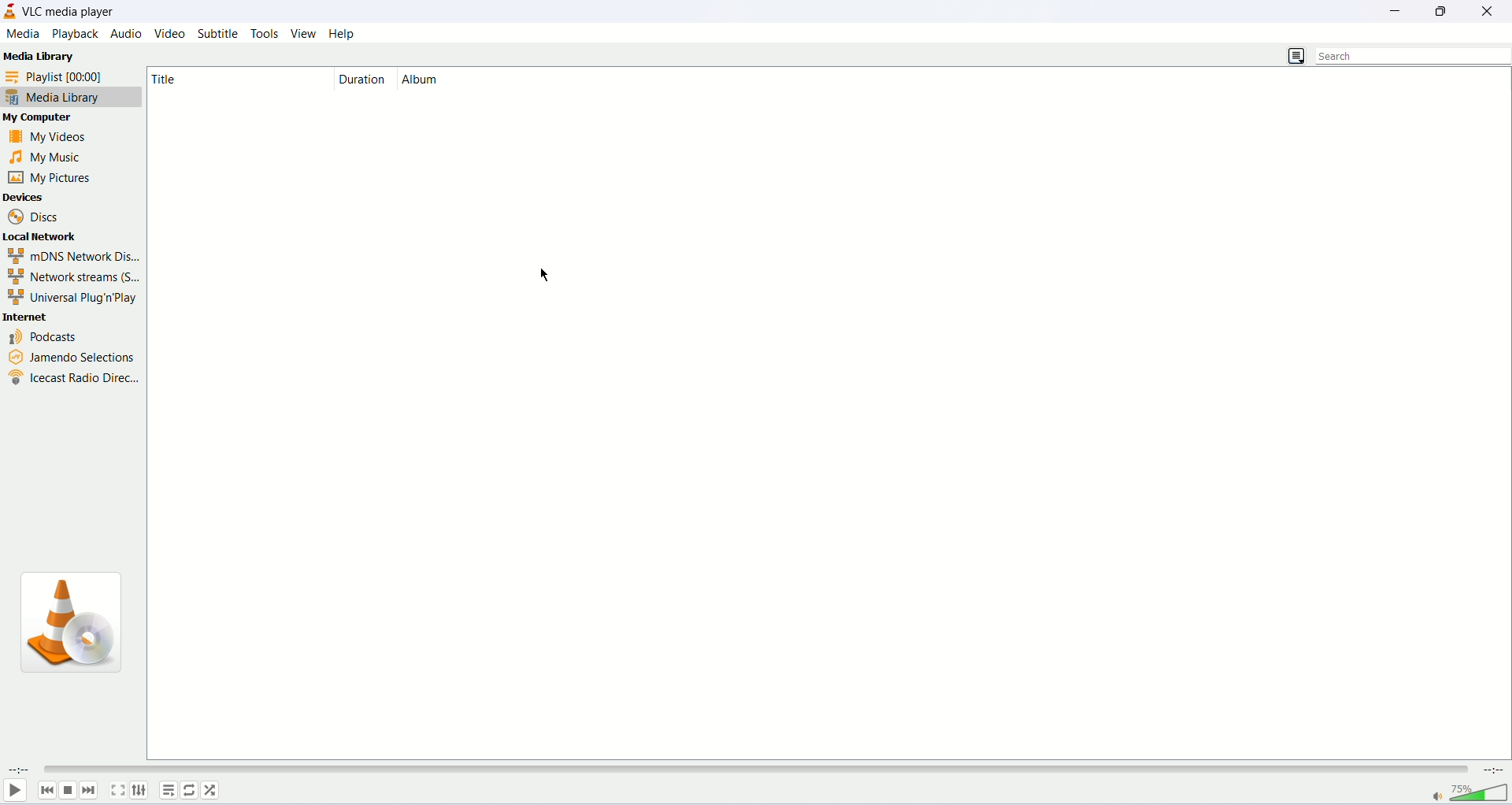 The width and height of the screenshot is (1512, 805). What do you see at coordinates (224, 78) in the screenshot?
I see `type` at bounding box center [224, 78].